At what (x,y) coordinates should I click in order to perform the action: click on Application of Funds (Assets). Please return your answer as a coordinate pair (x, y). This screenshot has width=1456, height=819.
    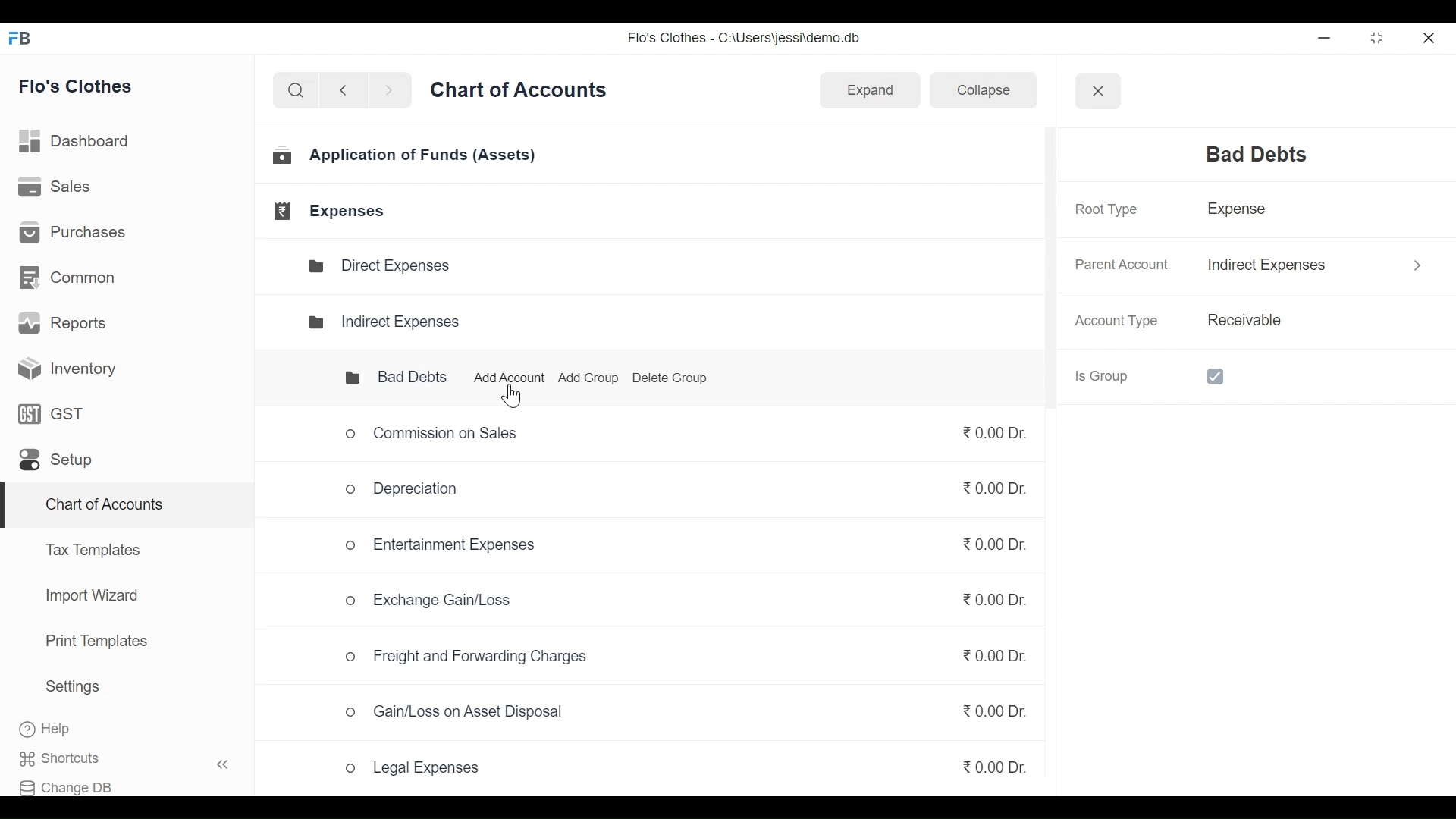
    Looking at the image, I should click on (406, 158).